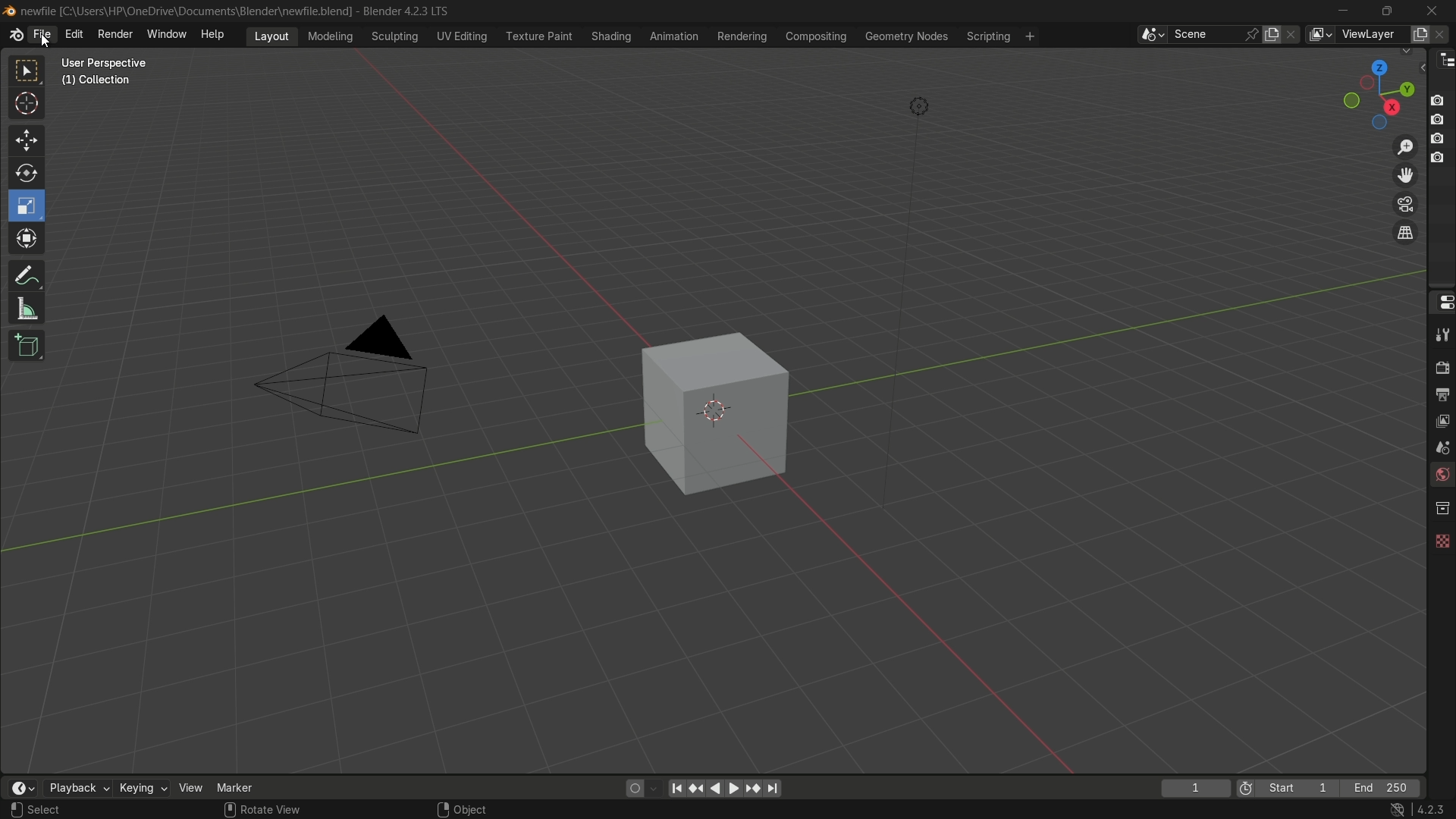  Describe the element at coordinates (609, 36) in the screenshot. I see `shading menu` at that location.